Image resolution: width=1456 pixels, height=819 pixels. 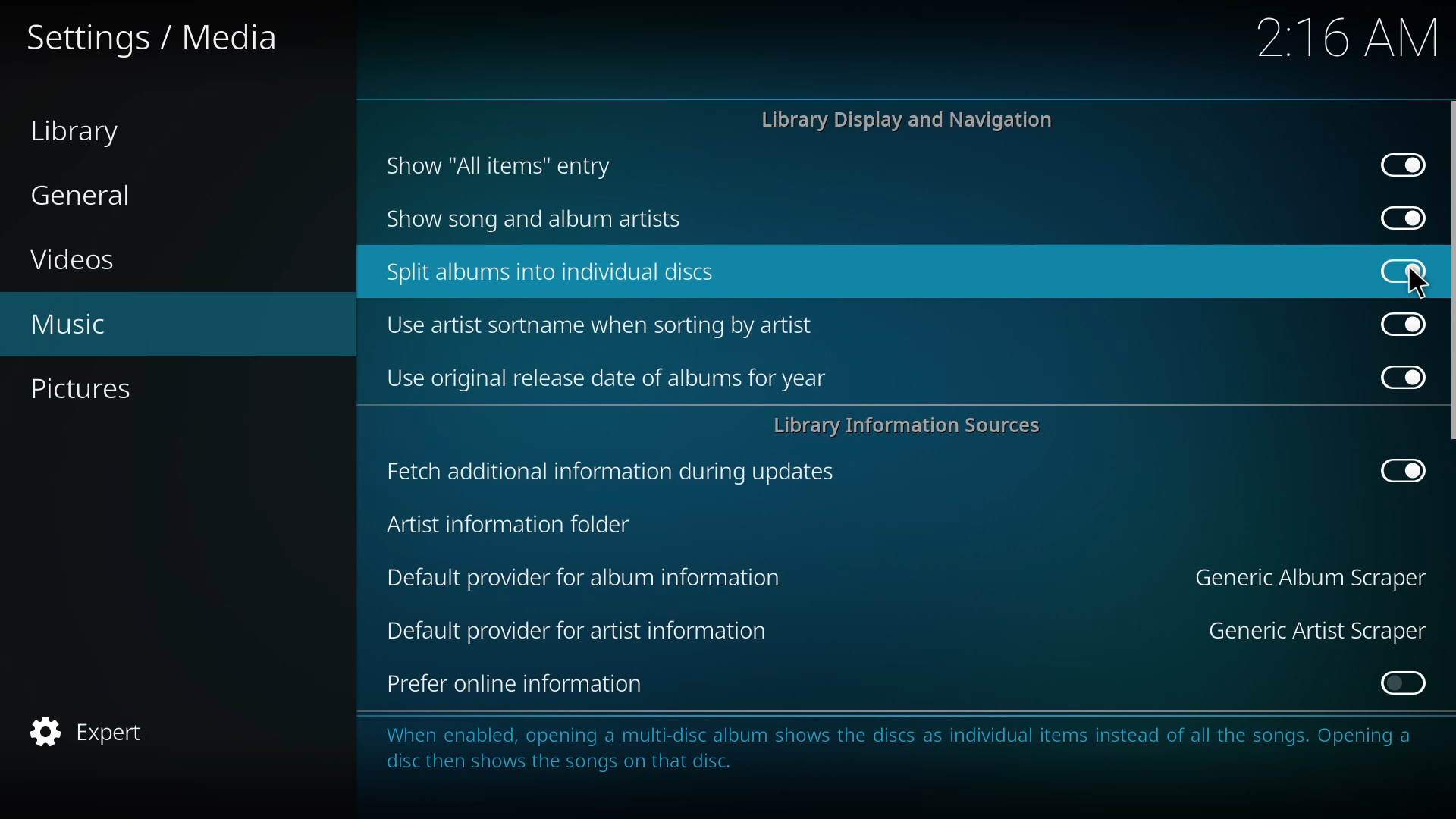 I want to click on library, so click(x=80, y=132).